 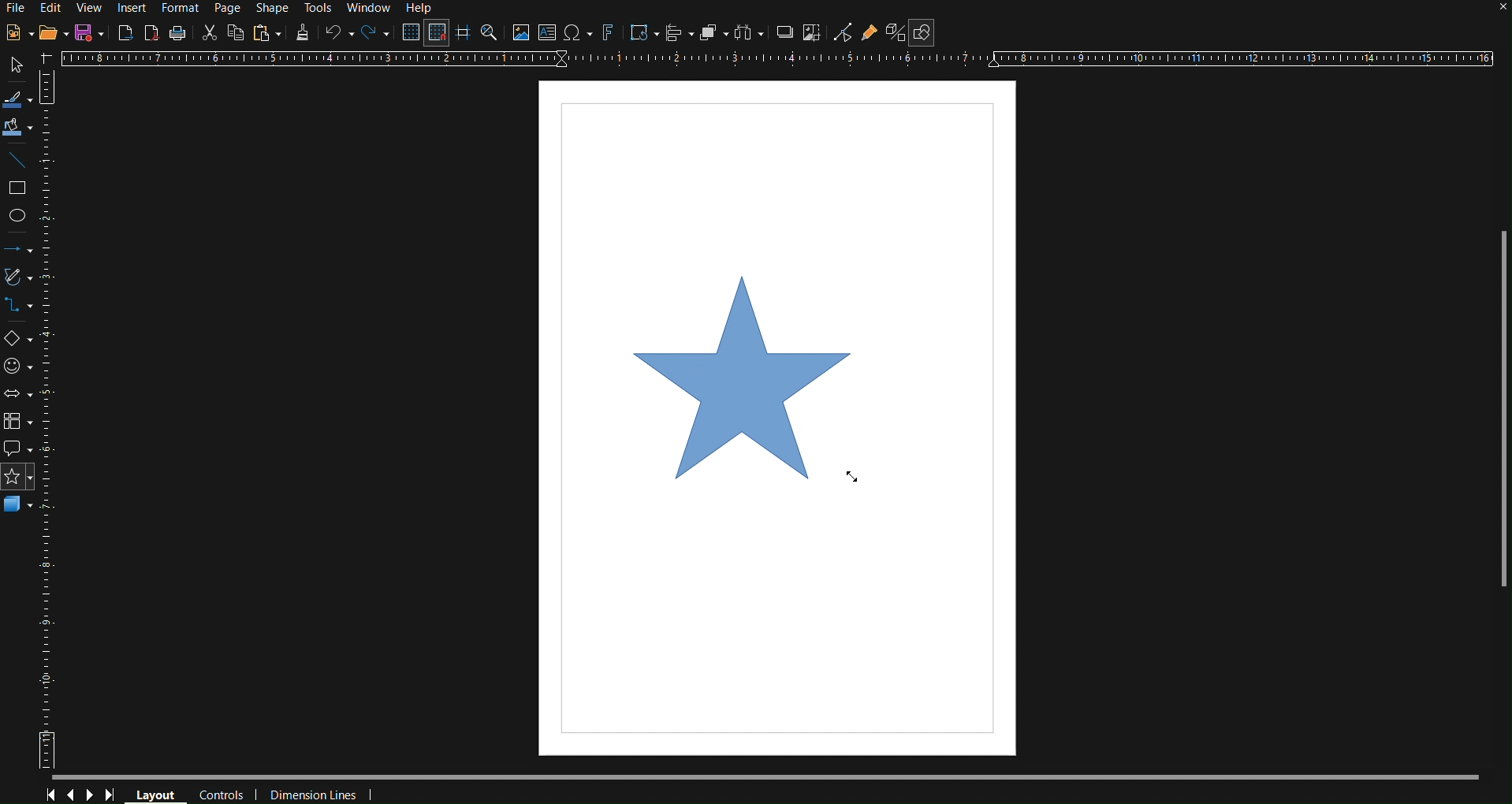 What do you see at coordinates (18, 127) in the screenshot?
I see `Fill Color` at bounding box center [18, 127].